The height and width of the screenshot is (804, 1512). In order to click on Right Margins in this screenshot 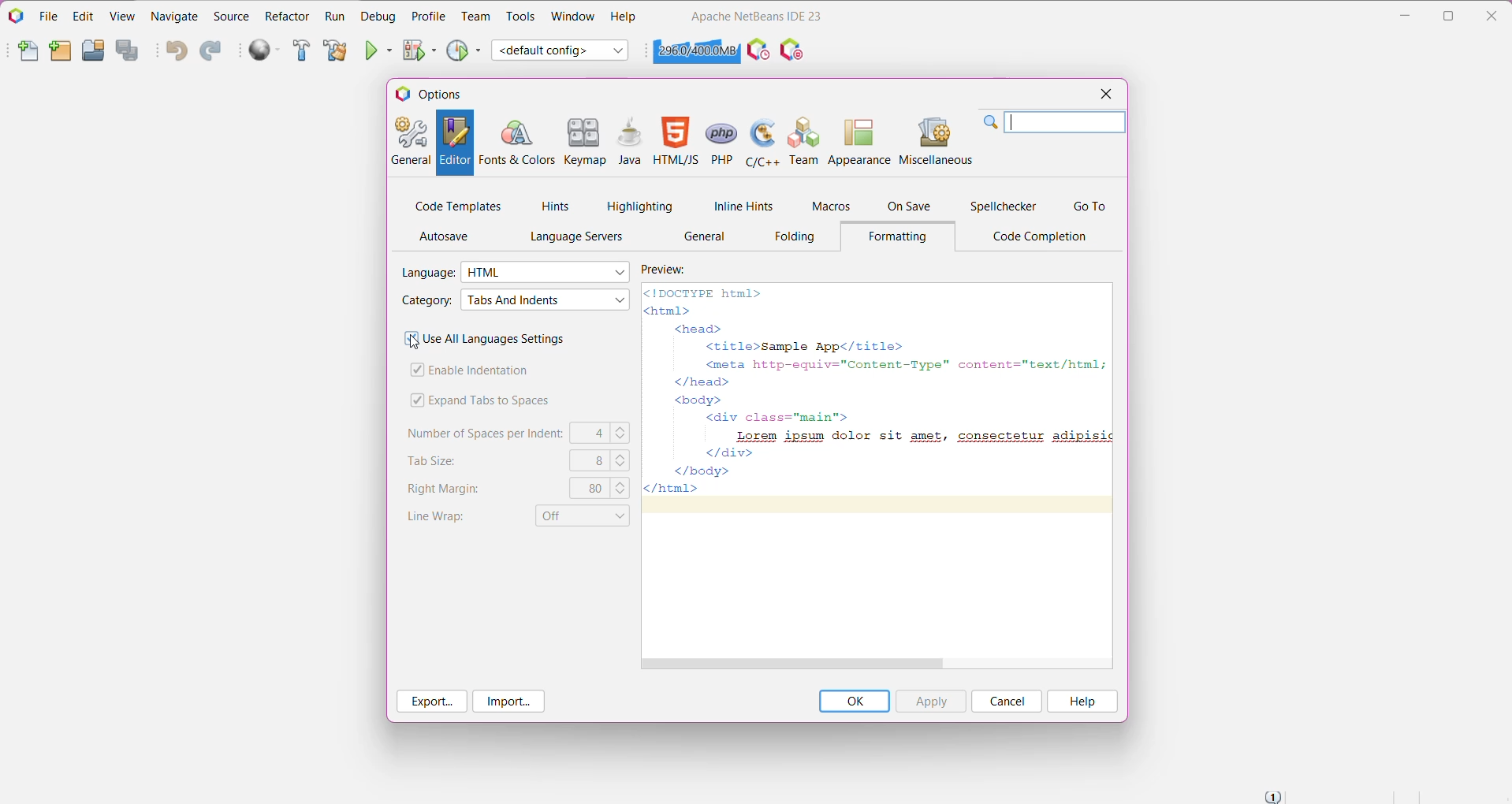, I will do `click(449, 489)`.